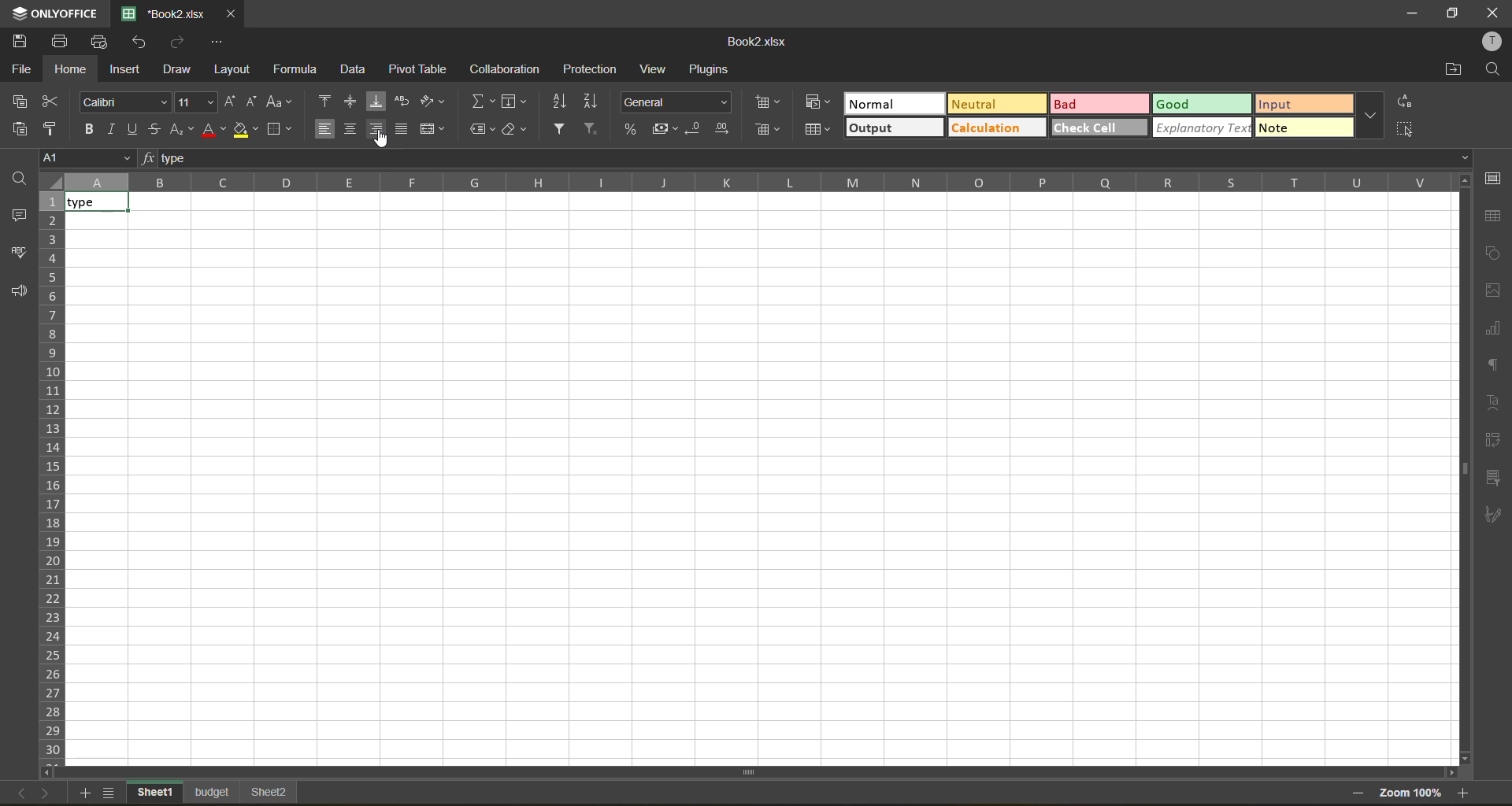 This screenshot has width=1512, height=806. I want to click on more options, so click(1369, 117).